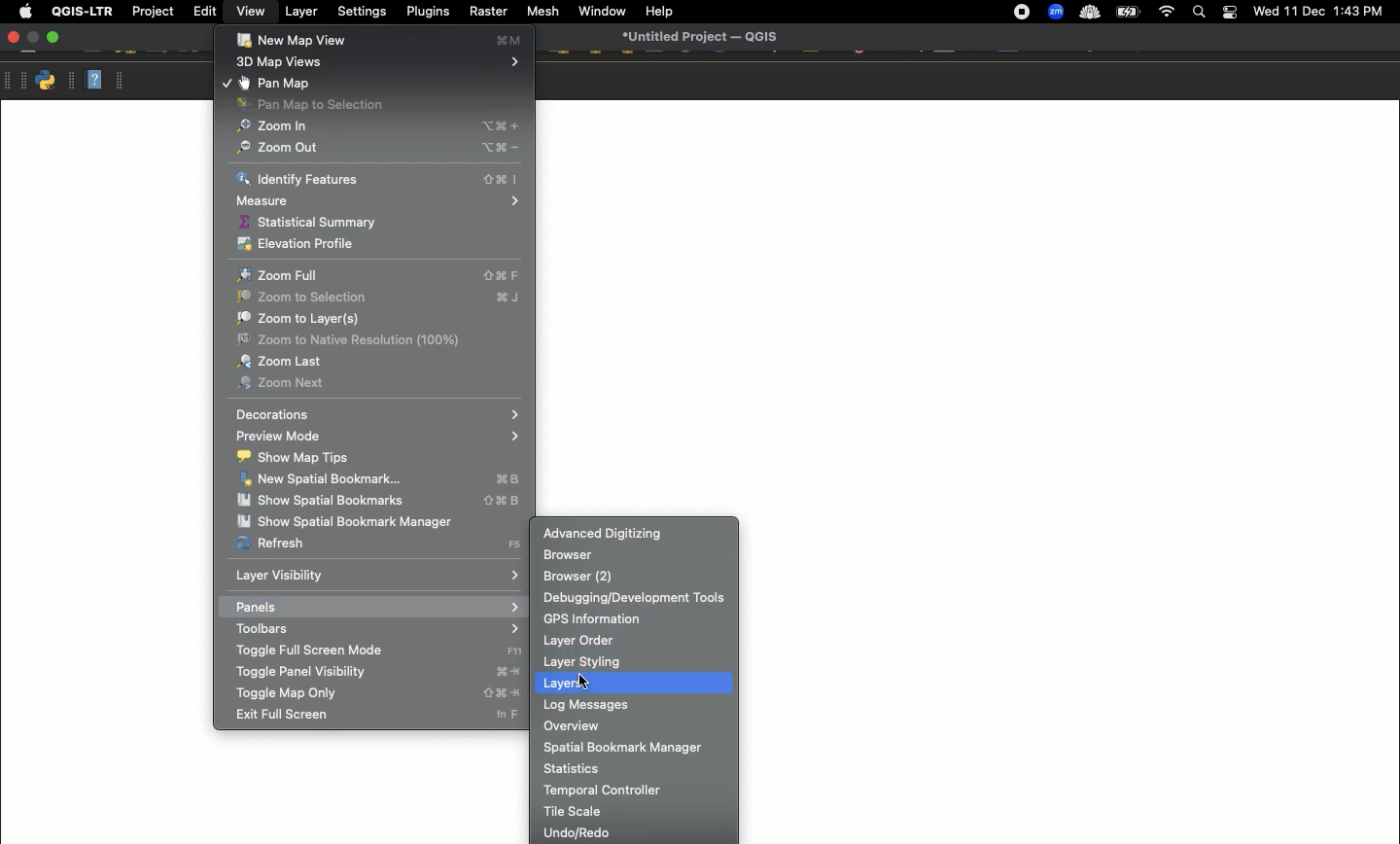 The width and height of the screenshot is (1400, 844). I want to click on Mesh, so click(542, 11).